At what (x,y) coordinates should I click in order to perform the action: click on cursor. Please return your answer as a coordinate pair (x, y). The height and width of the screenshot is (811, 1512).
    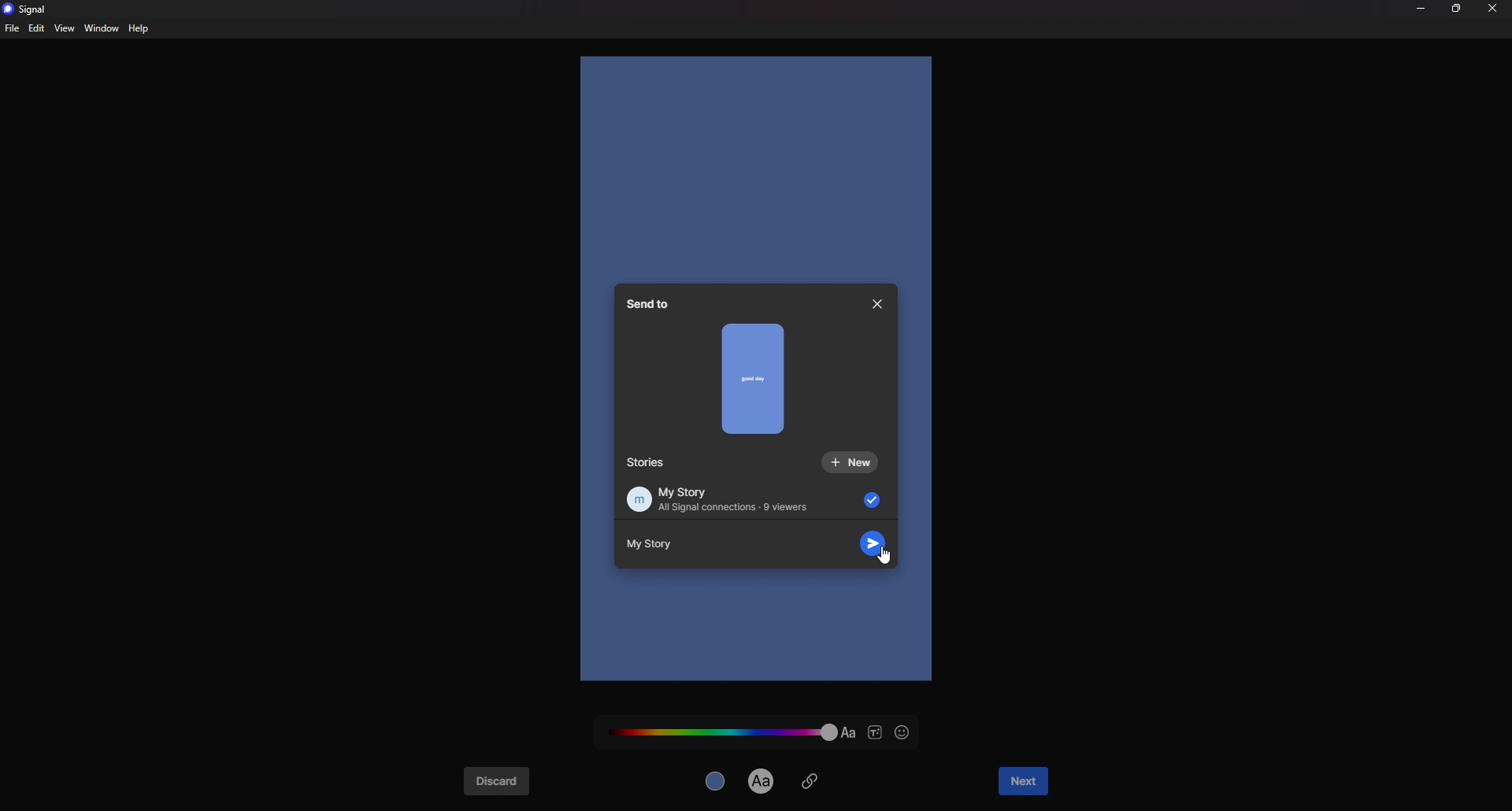
    Looking at the image, I should click on (884, 557).